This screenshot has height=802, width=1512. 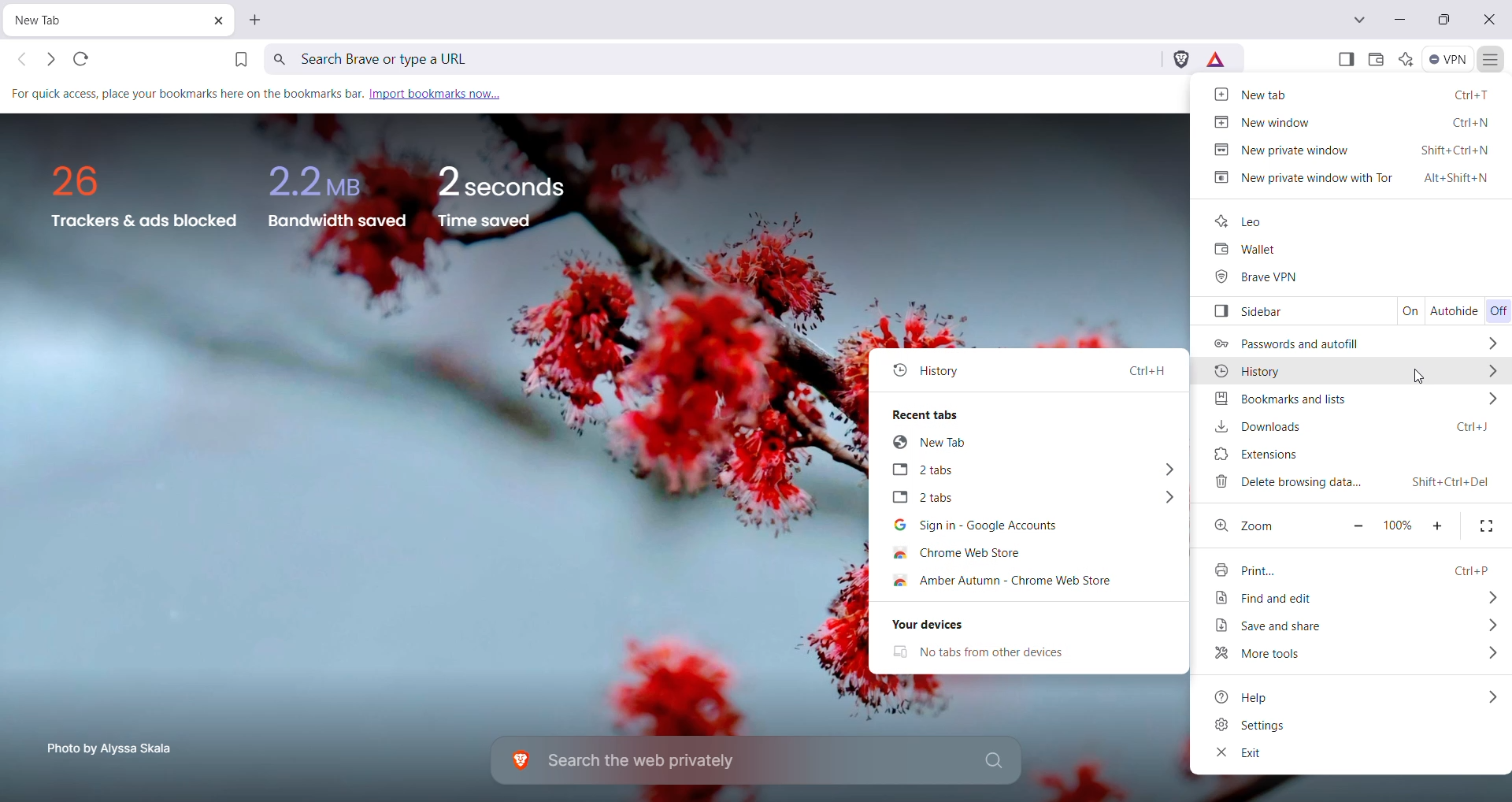 What do you see at coordinates (1347, 425) in the screenshot?
I see `Downloads` at bounding box center [1347, 425].